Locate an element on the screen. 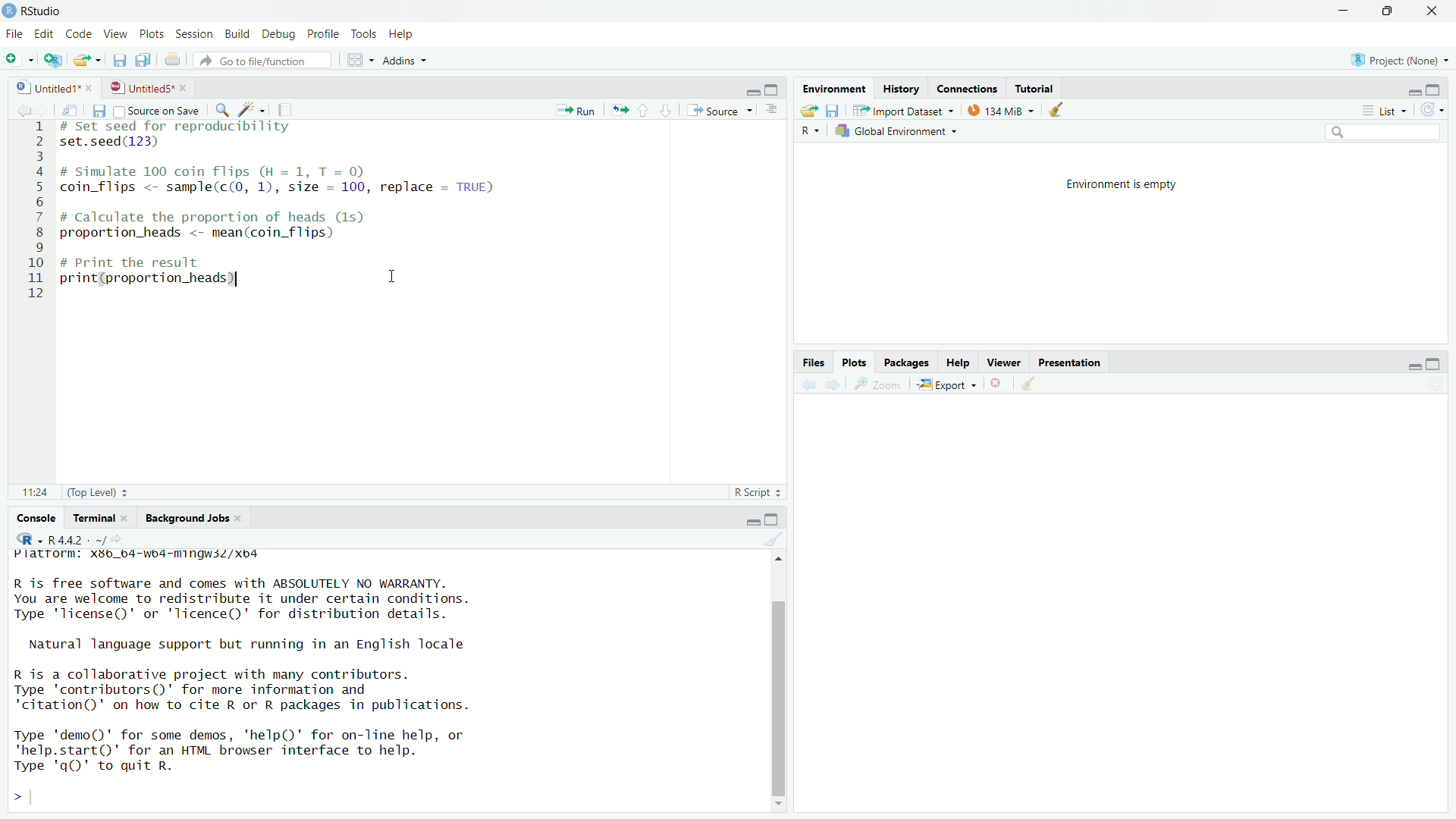 The image size is (1456, 819). list is located at coordinates (1386, 111).